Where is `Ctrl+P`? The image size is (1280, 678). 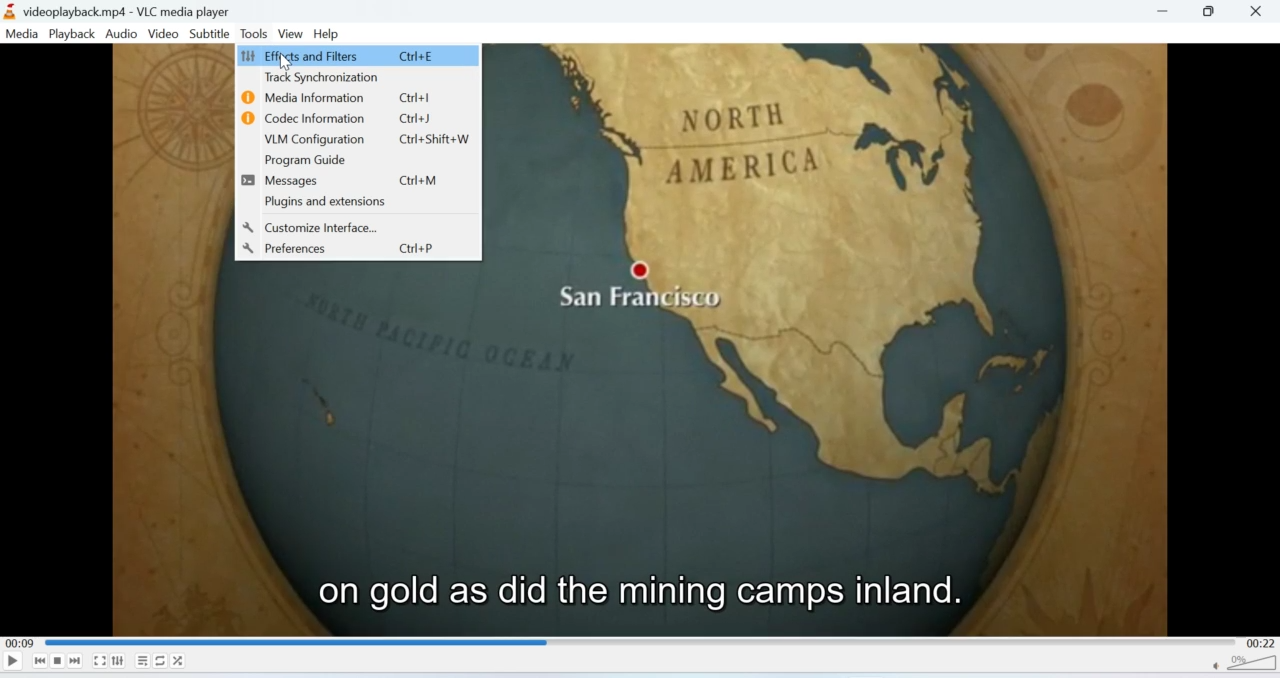
Ctrl+P is located at coordinates (414, 249).